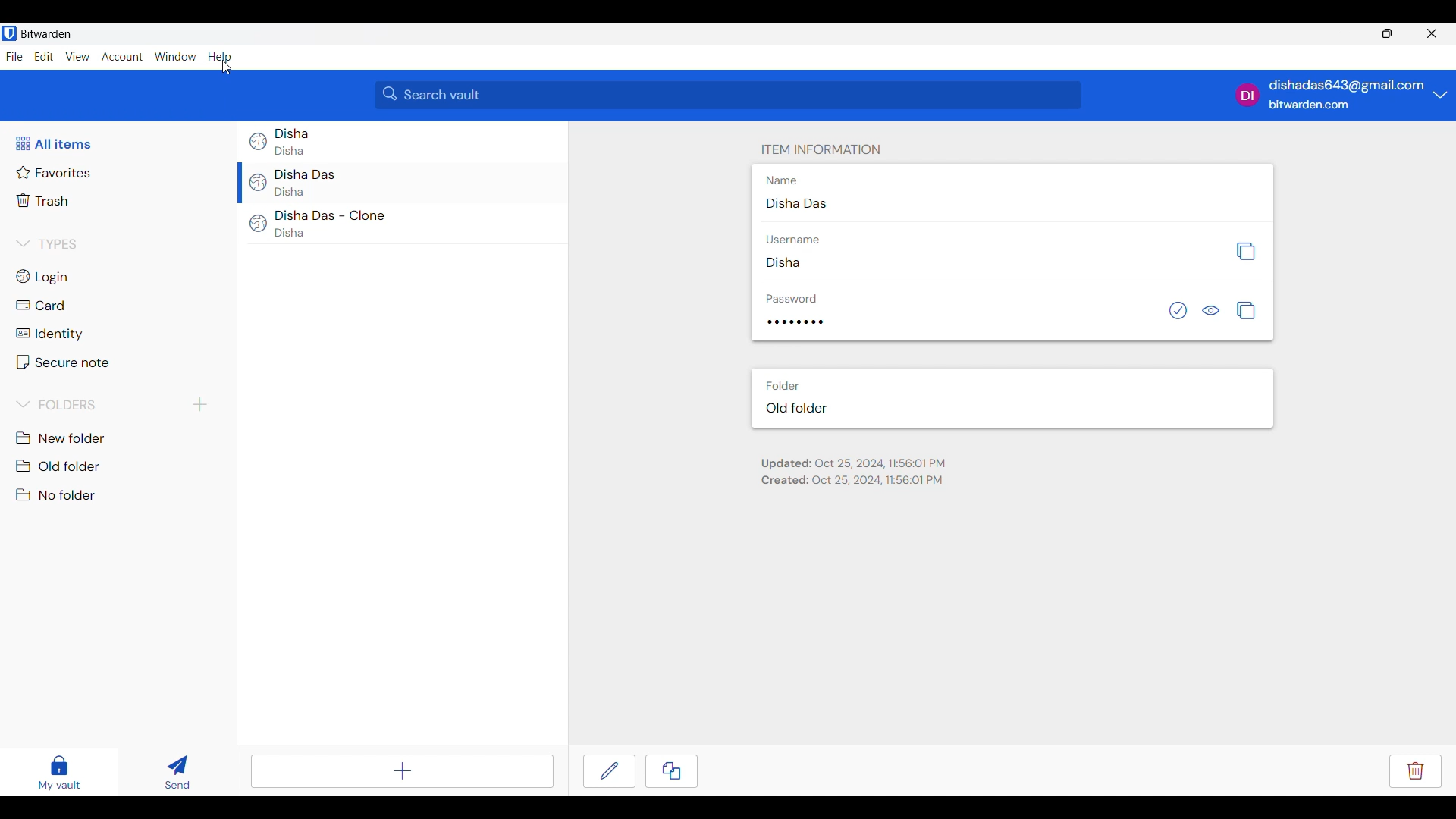  What do you see at coordinates (240, 182) in the screenshot?
I see `Selected item highlighted` at bounding box center [240, 182].